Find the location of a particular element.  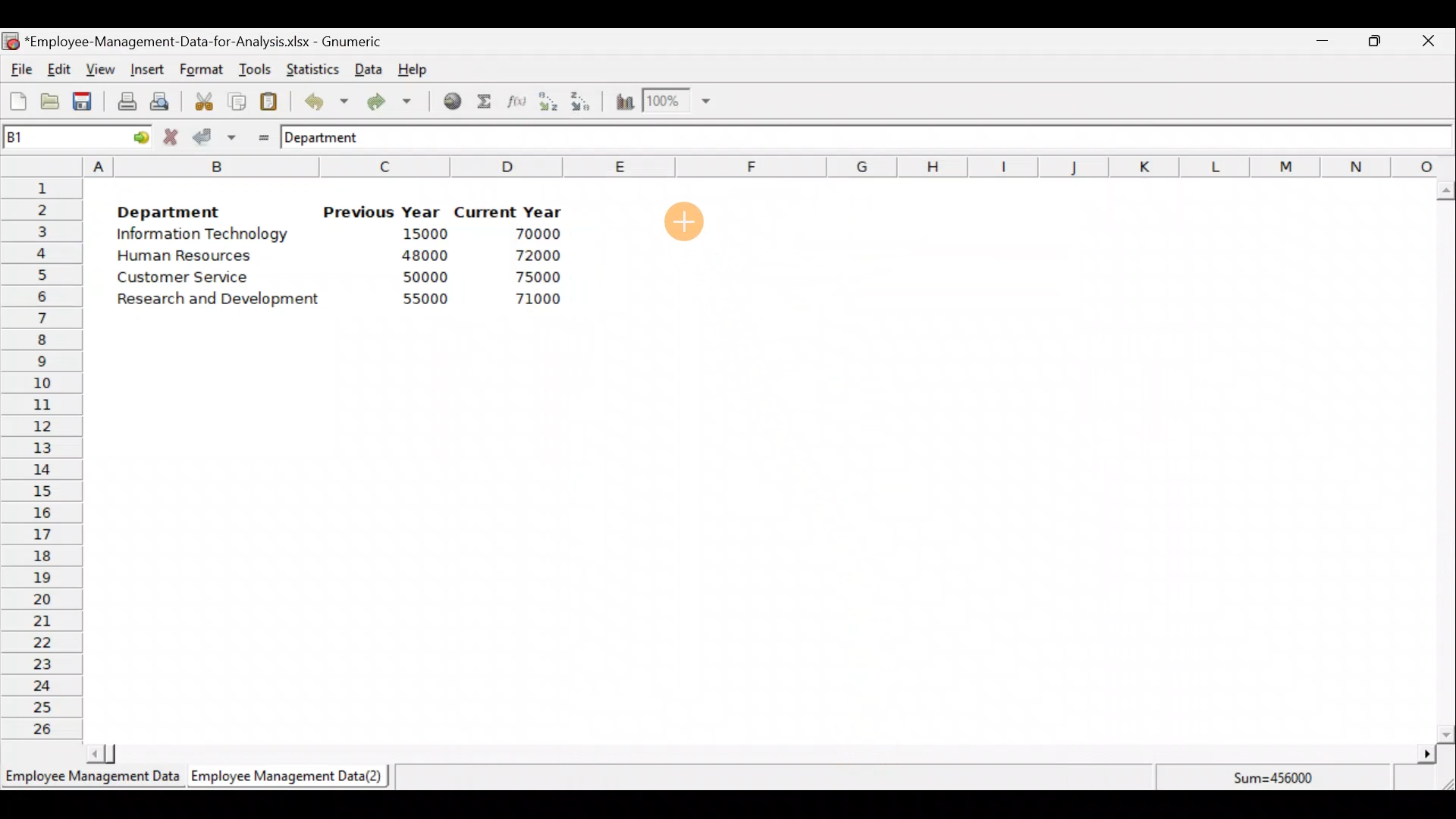

Cut the selection is located at coordinates (199, 99).